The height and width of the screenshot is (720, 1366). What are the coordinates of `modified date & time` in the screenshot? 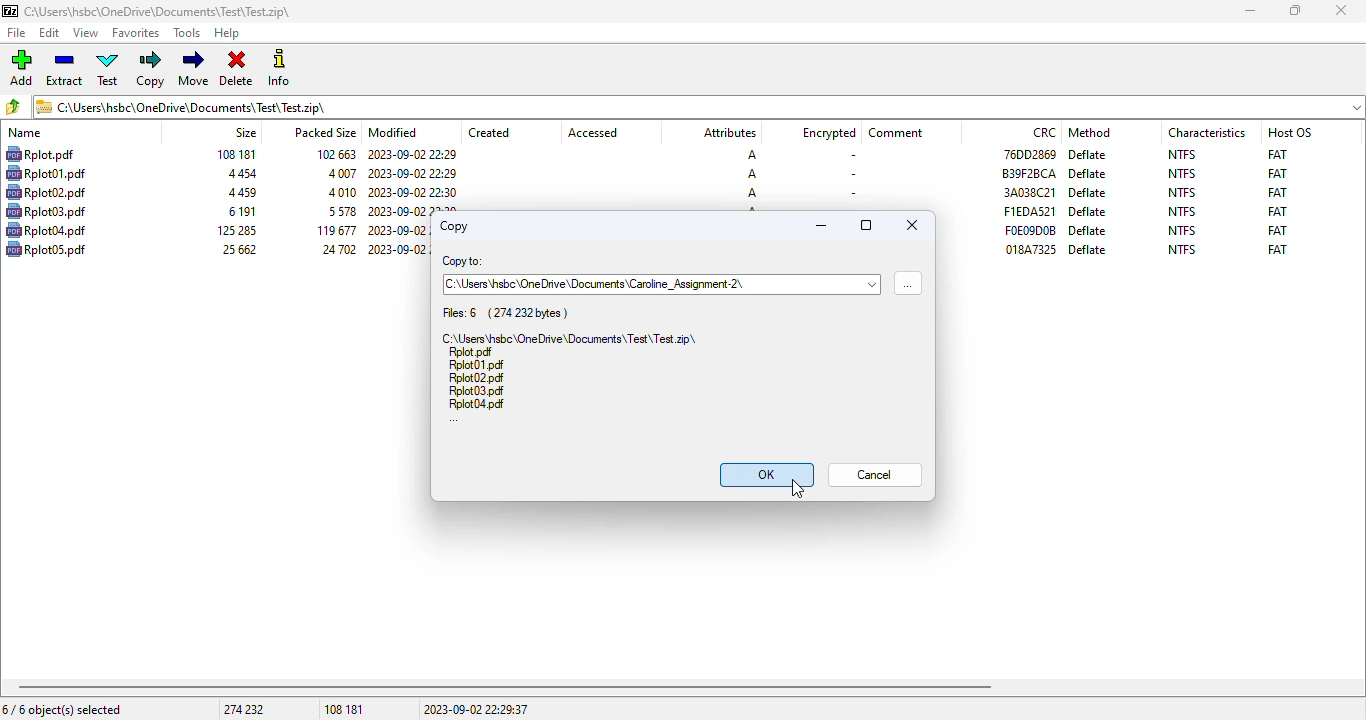 It's located at (414, 209).